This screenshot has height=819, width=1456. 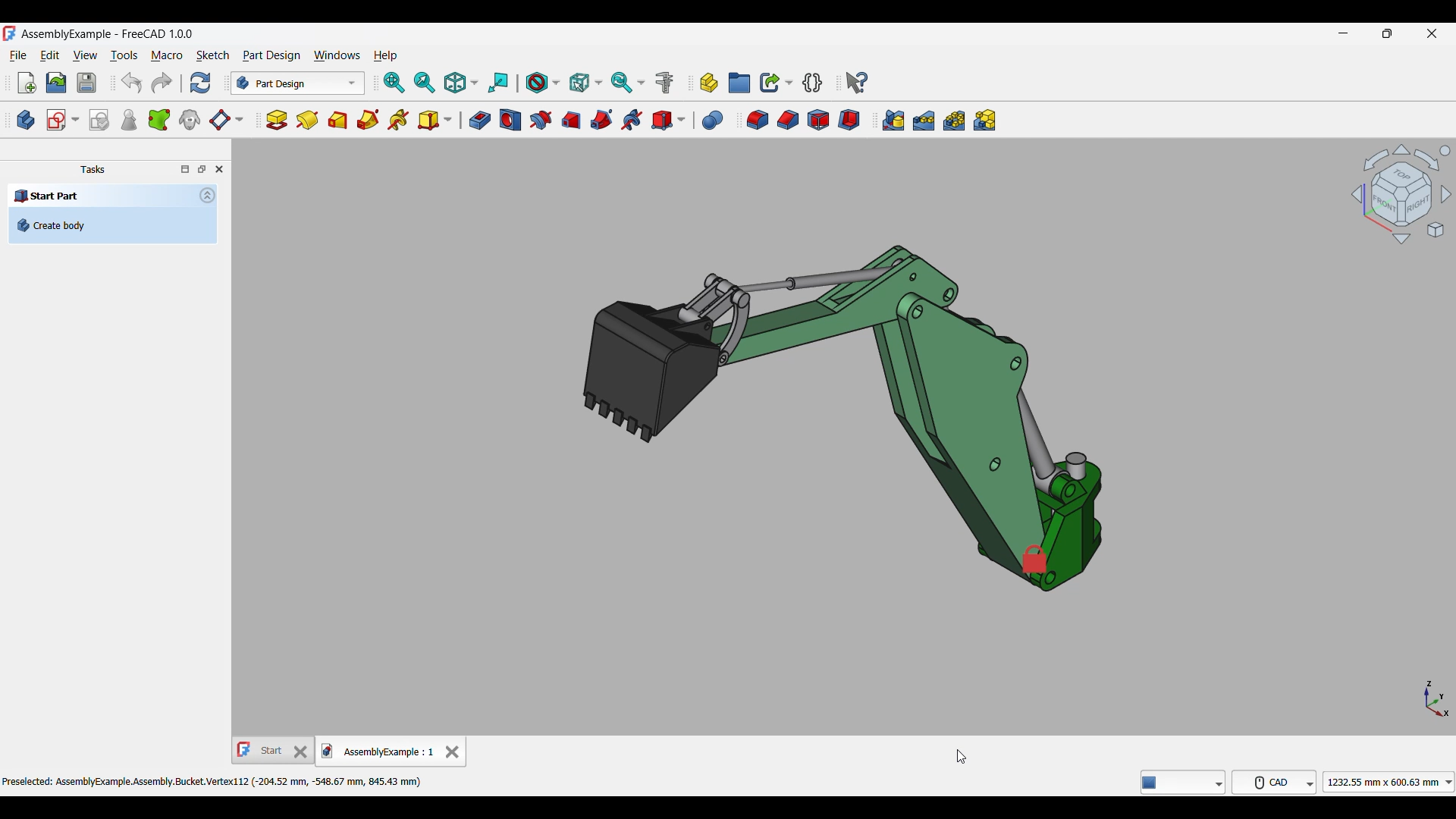 What do you see at coordinates (776, 83) in the screenshot?
I see `Make link options` at bounding box center [776, 83].